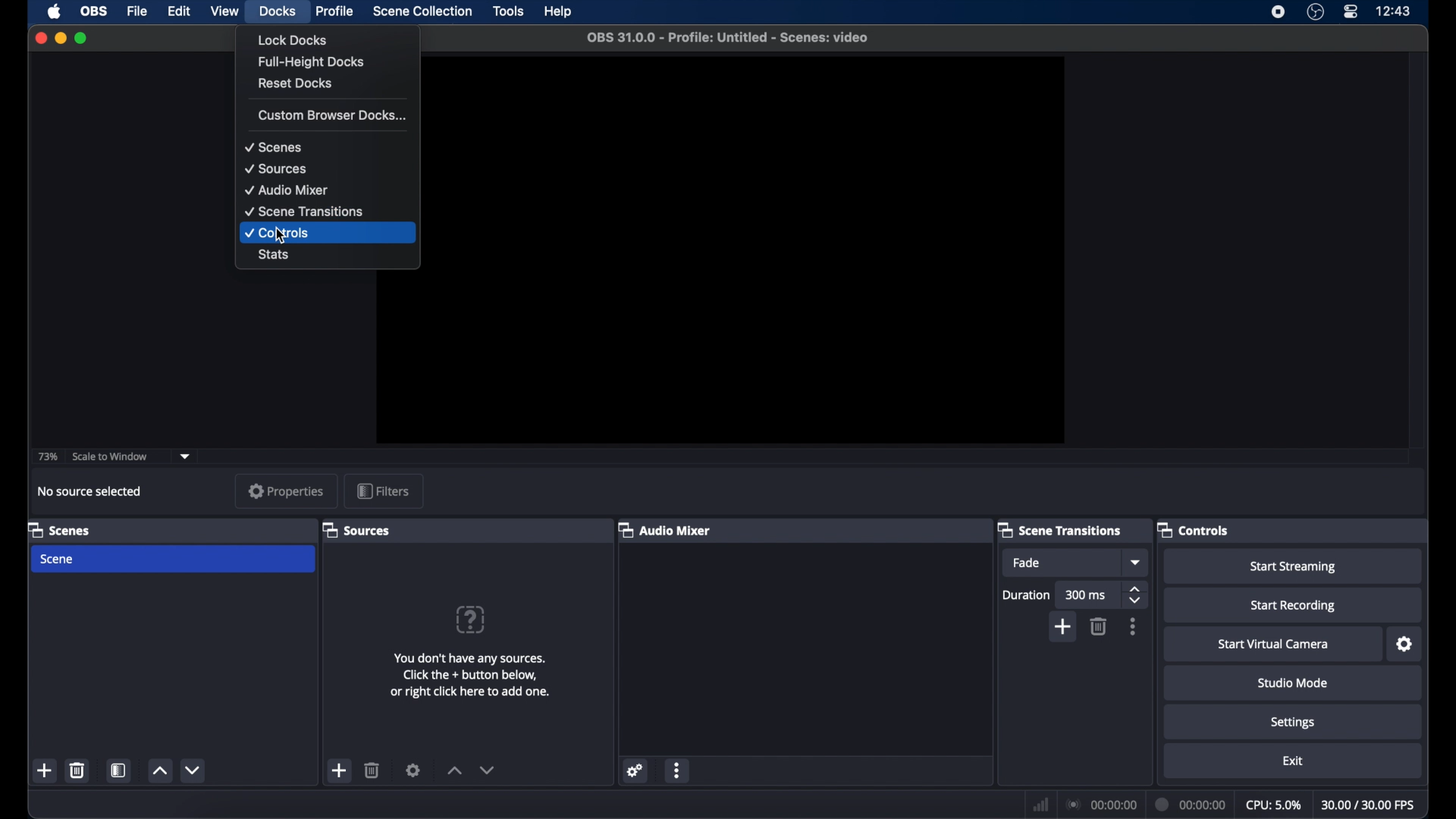 Image resolution: width=1456 pixels, height=819 pixels. What do you see at coordinates (310, 62) in the screenshot?
I see `full height docks` at bounding box center [310, 62].